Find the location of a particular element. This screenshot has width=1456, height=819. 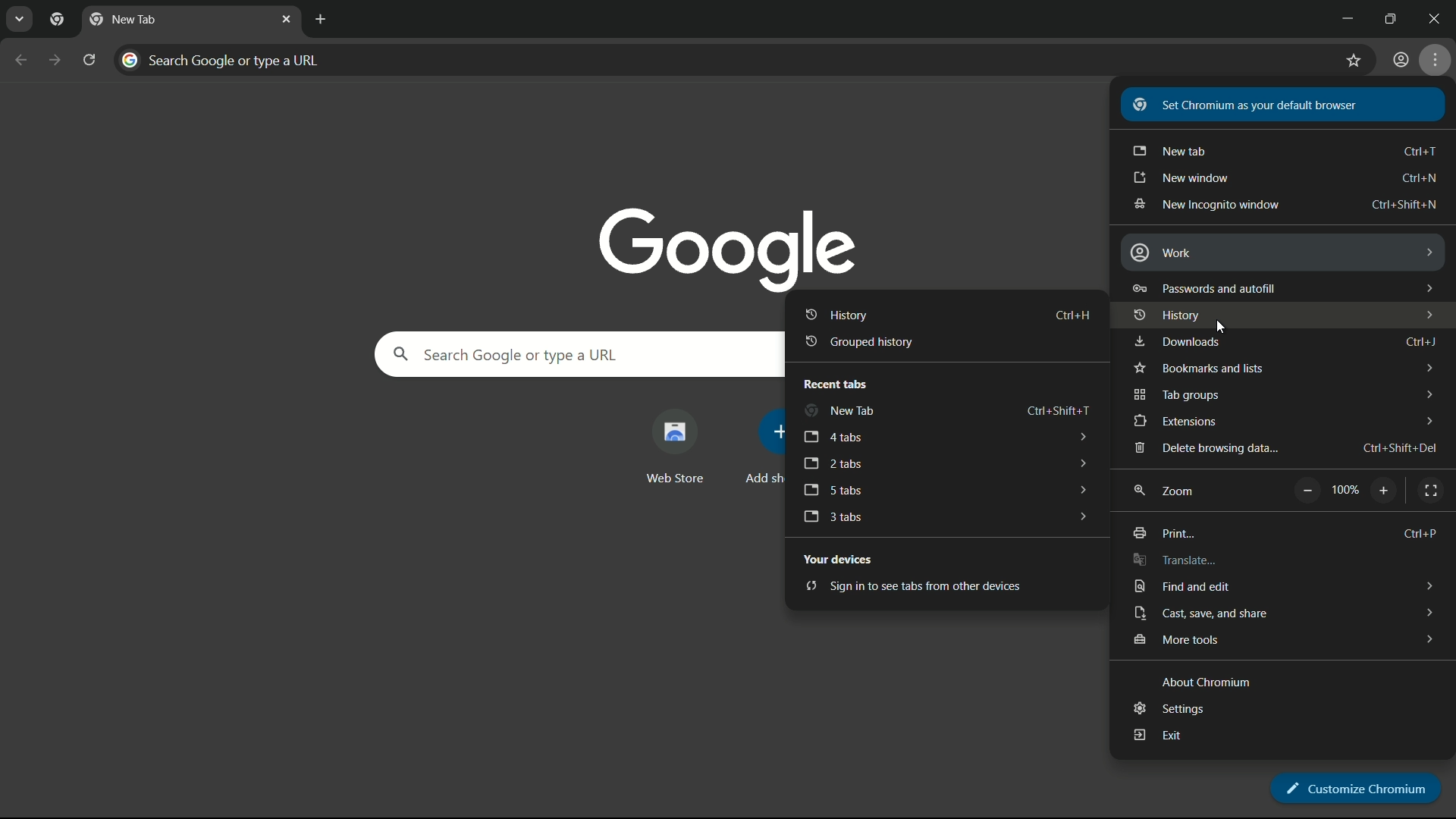

new tab is located at coordinates (1172, 152).